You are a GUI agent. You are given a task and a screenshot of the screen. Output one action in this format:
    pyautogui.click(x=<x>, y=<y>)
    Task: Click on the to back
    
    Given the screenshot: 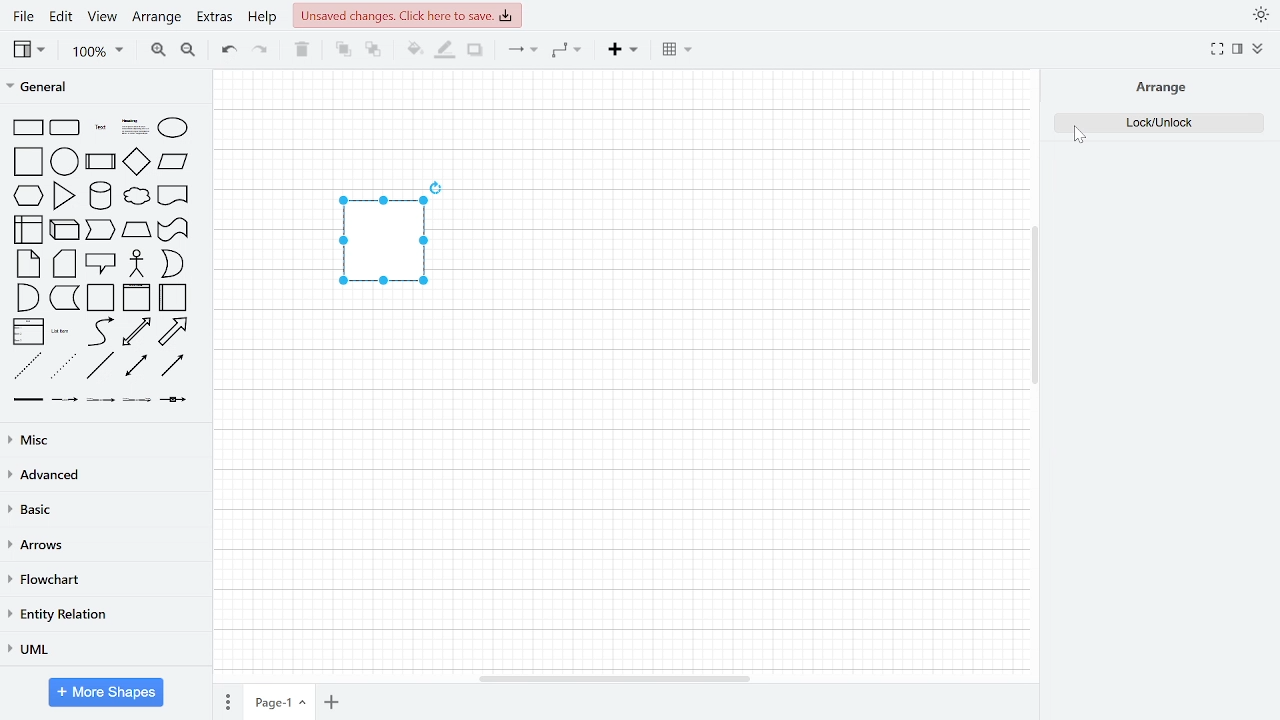 What is the action you would take?
    pyautogui.click(x=373, y=48)
    